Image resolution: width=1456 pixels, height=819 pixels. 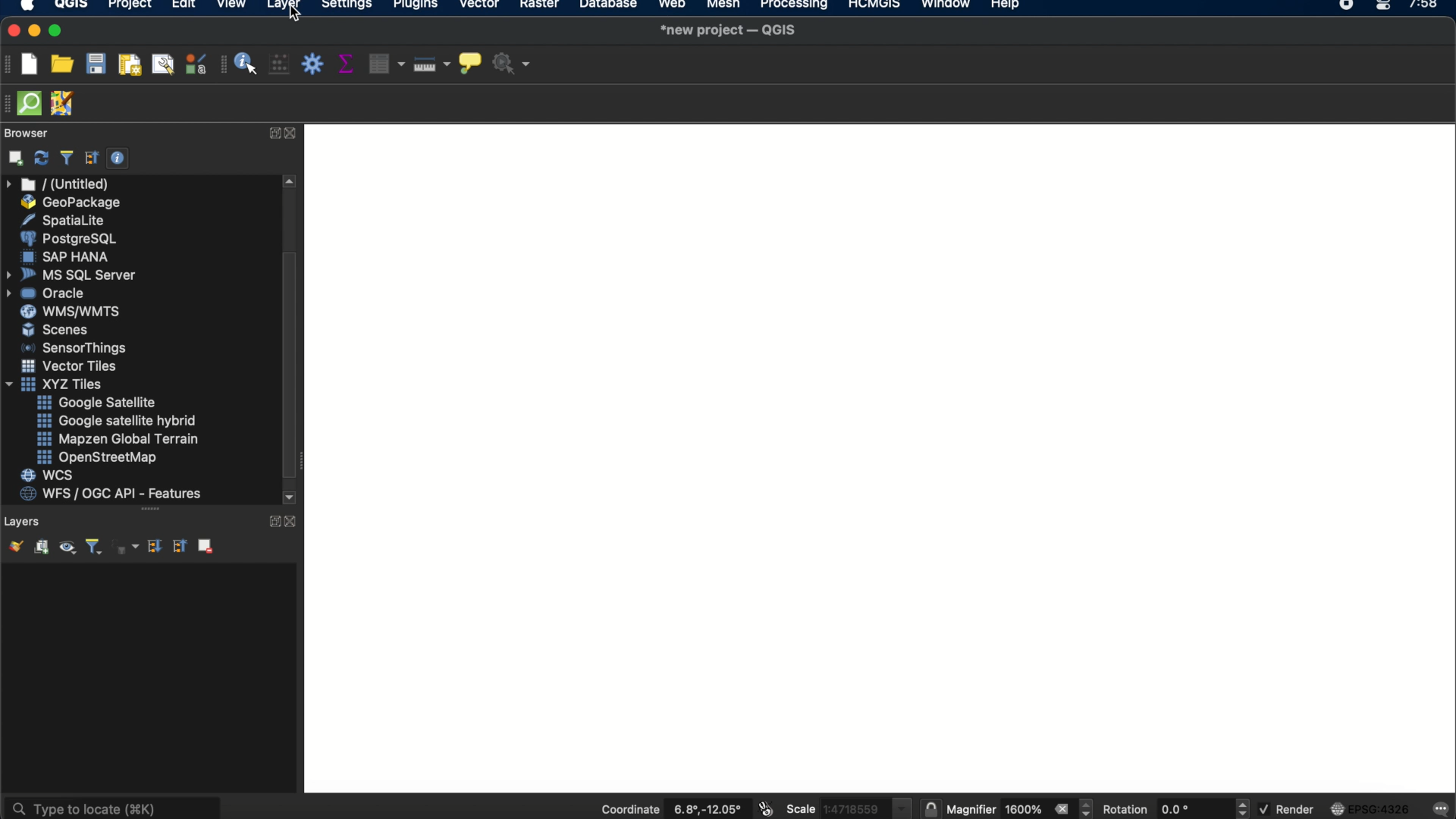 I want to click on project toolbar, so click(x=9, y=64).